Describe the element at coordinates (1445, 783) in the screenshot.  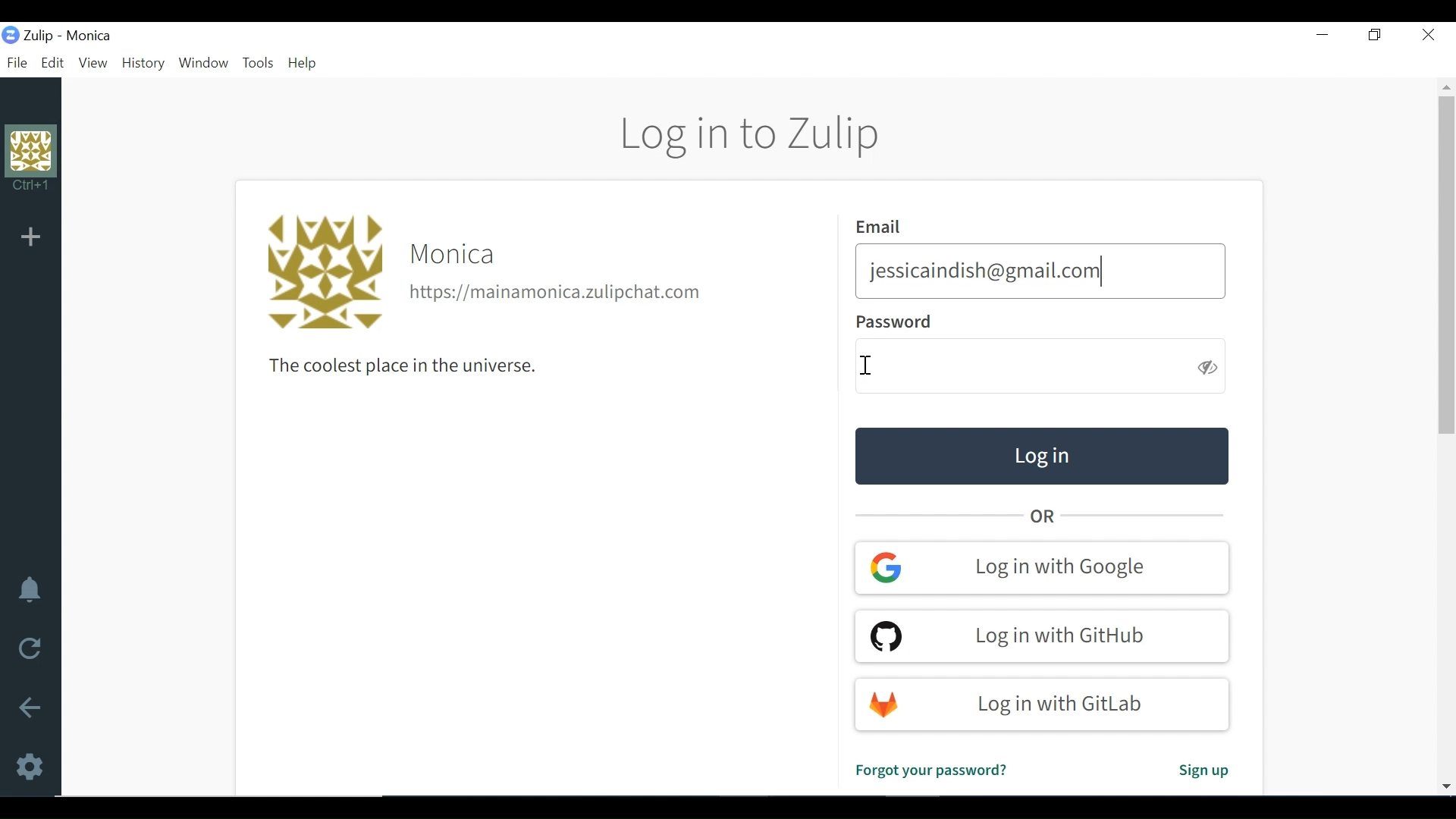
I see `Scroll down` at that location.